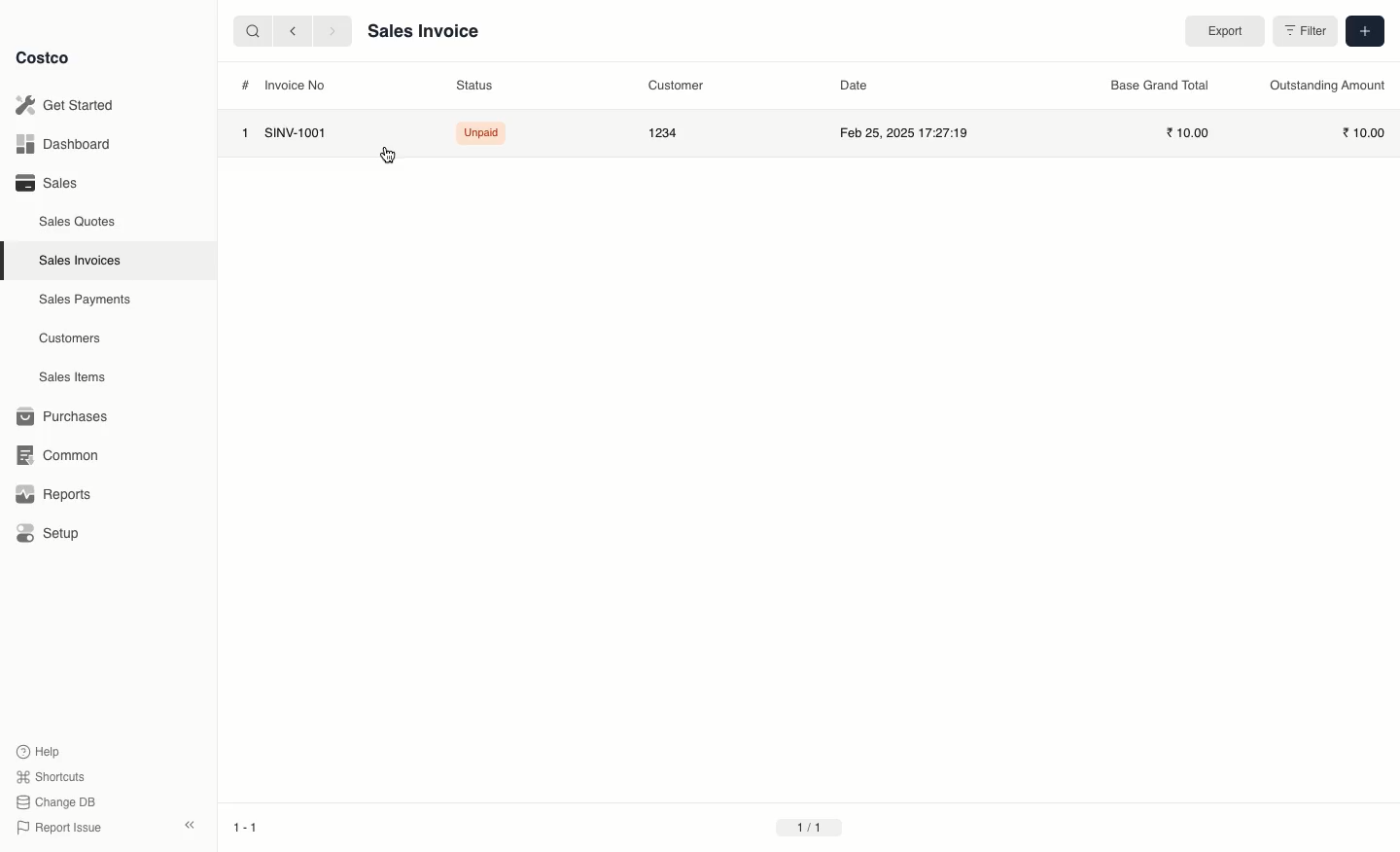 Image resolution: width=1400 pixels, height=852 pixels. What do you see at coordinates (672, 86) in the screenshot?
I see `Customer` at bounding box center [672, 86].